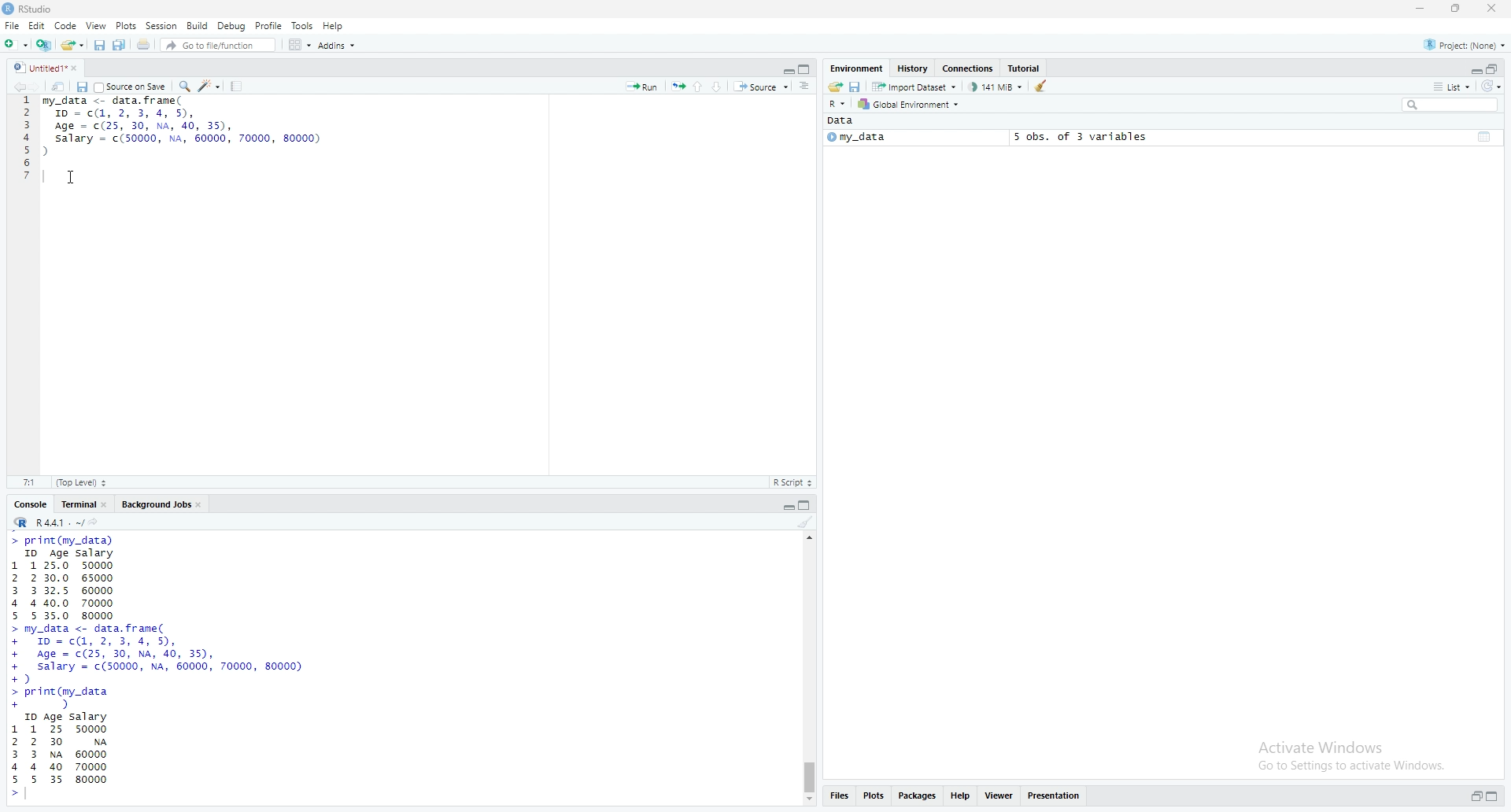 The image size is (1511, 812). Describe the element at coordinates (219, 46) in the screenshot. I see `Go to file/function` at that location.